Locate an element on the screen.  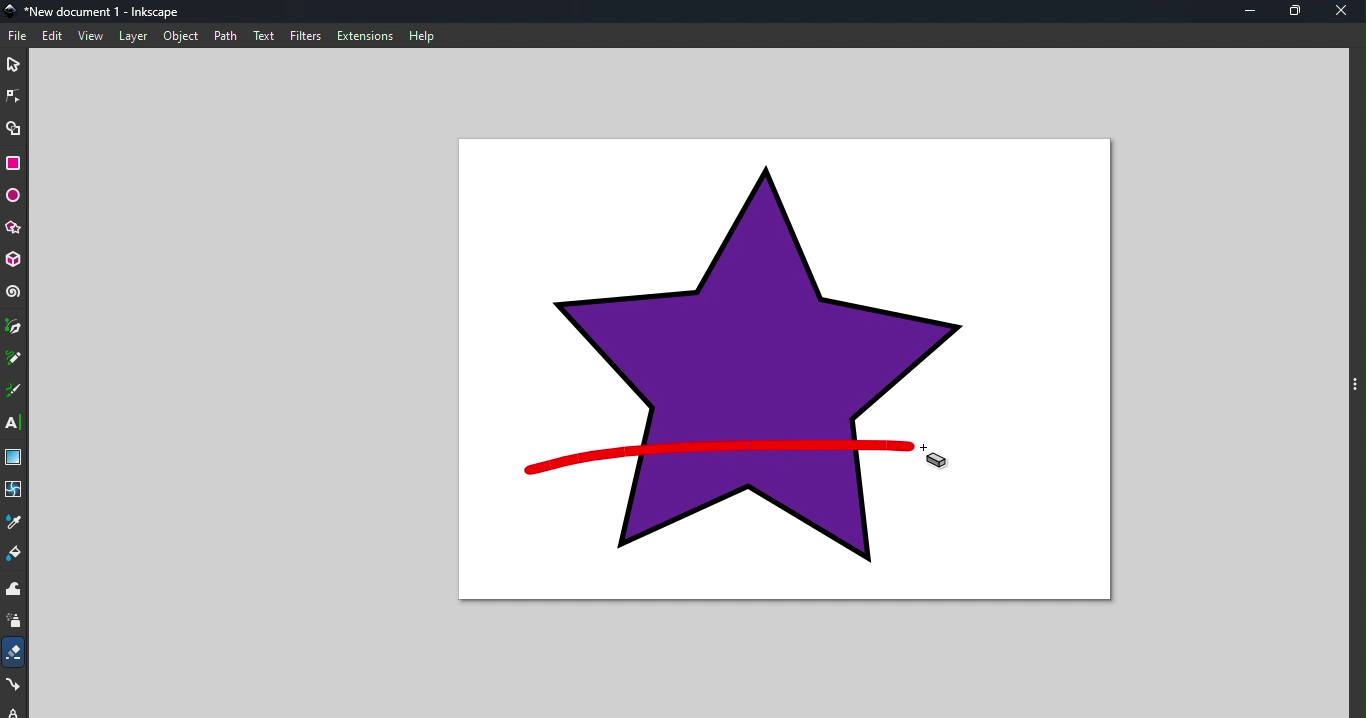
help is located at coordinates (424, 35).